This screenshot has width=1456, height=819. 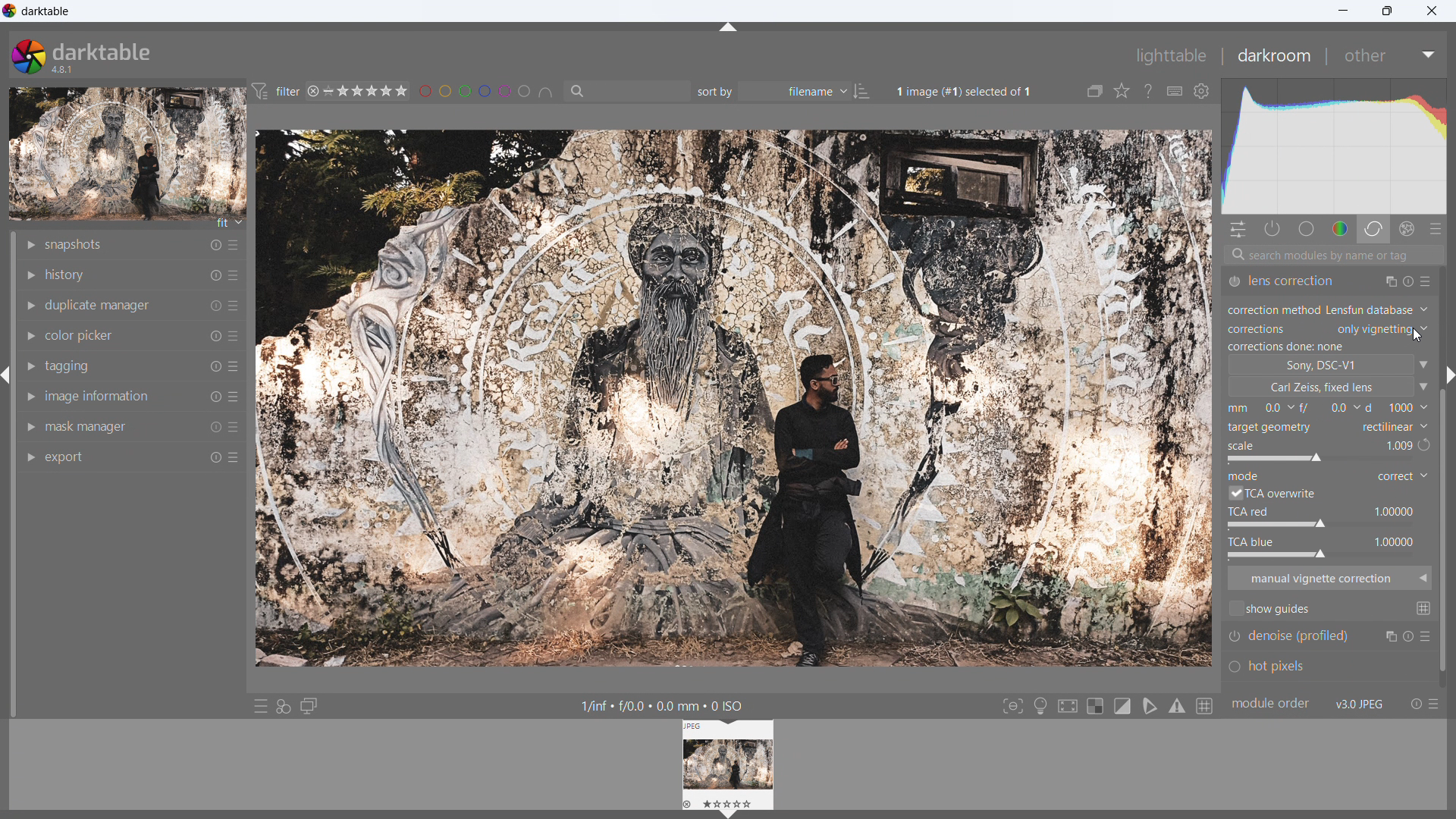 What do you see at coordinates (863, 91) in the screenshot?
I see `ascending/descending` at bounding box center [863, 91].